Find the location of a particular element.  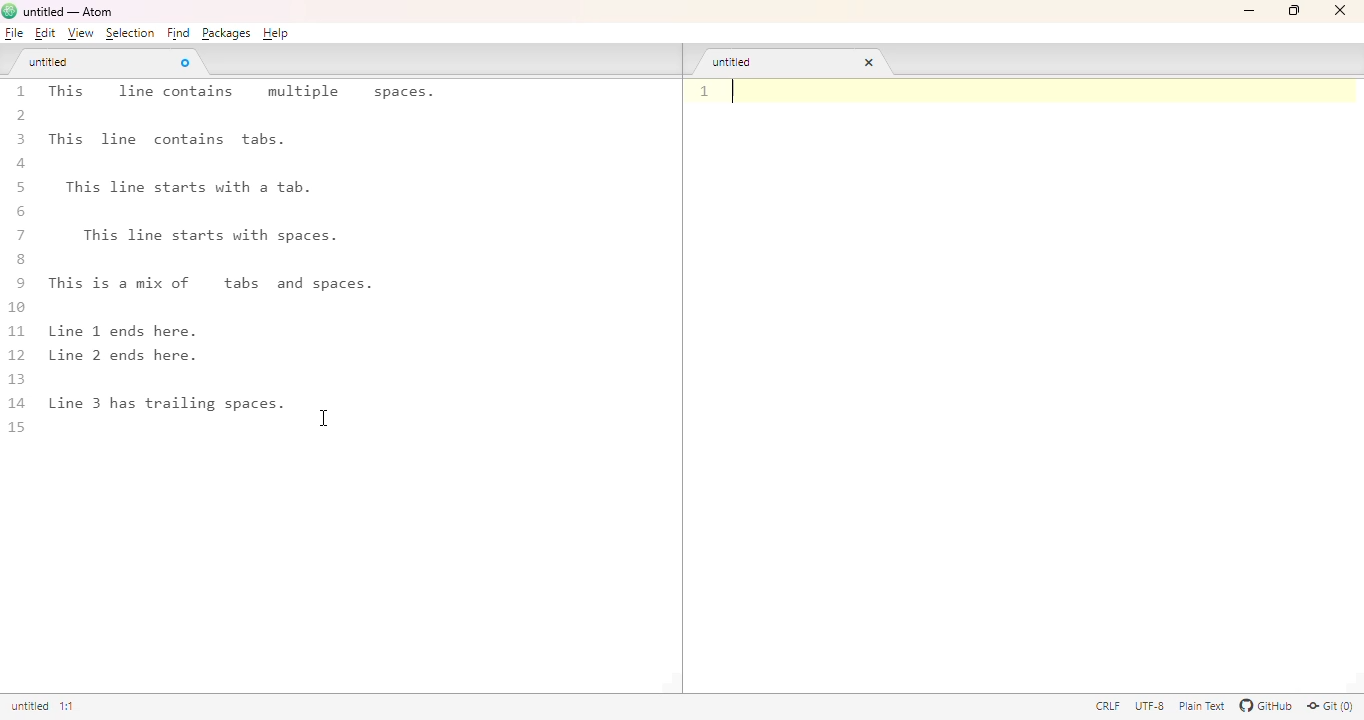

line 1, column 1 is located at coordinates (67, 706).